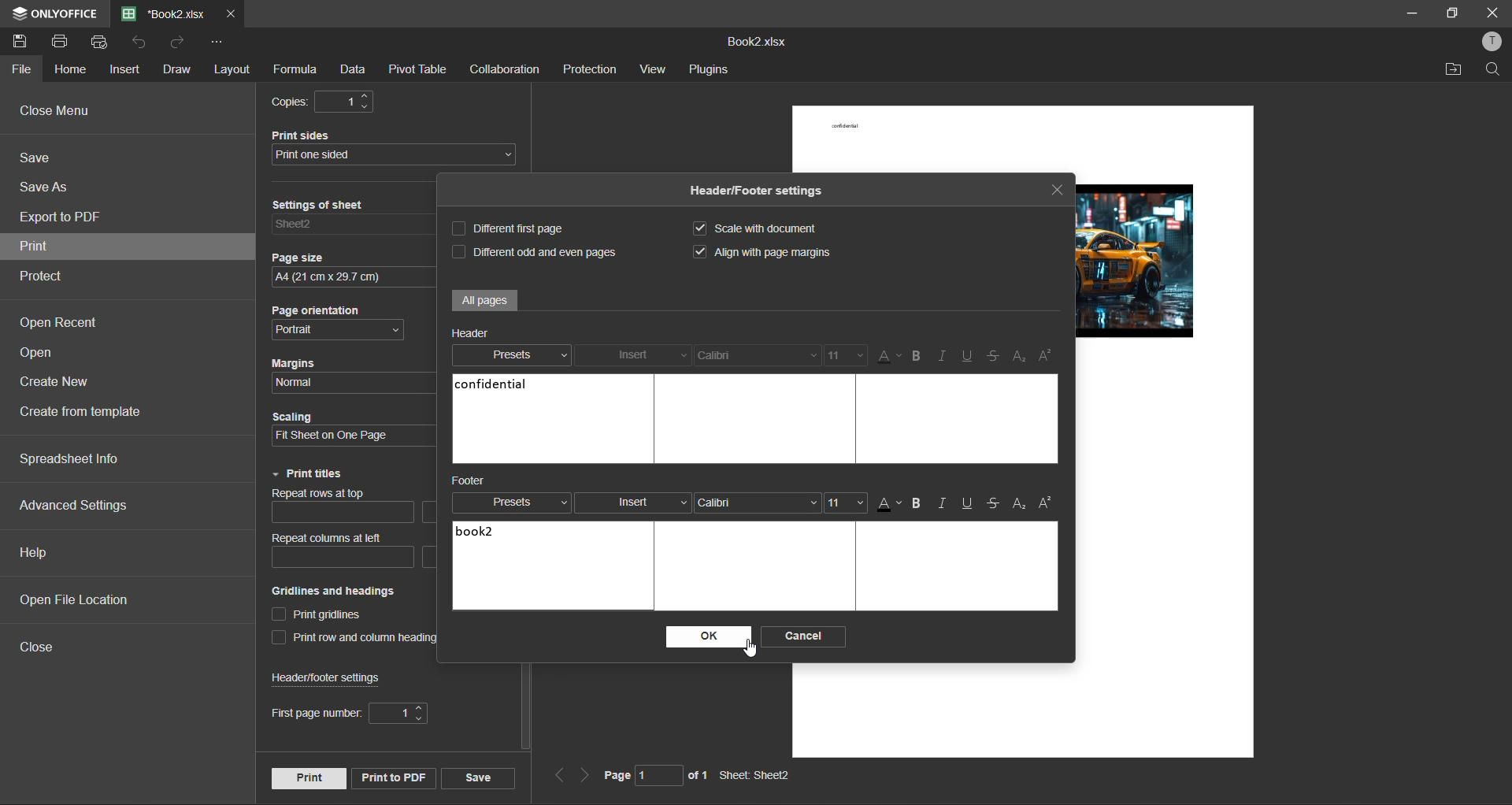 Image resolution: width=1512 pixels, height=805 pixels. I want to click on different first page, so click(507, 228).